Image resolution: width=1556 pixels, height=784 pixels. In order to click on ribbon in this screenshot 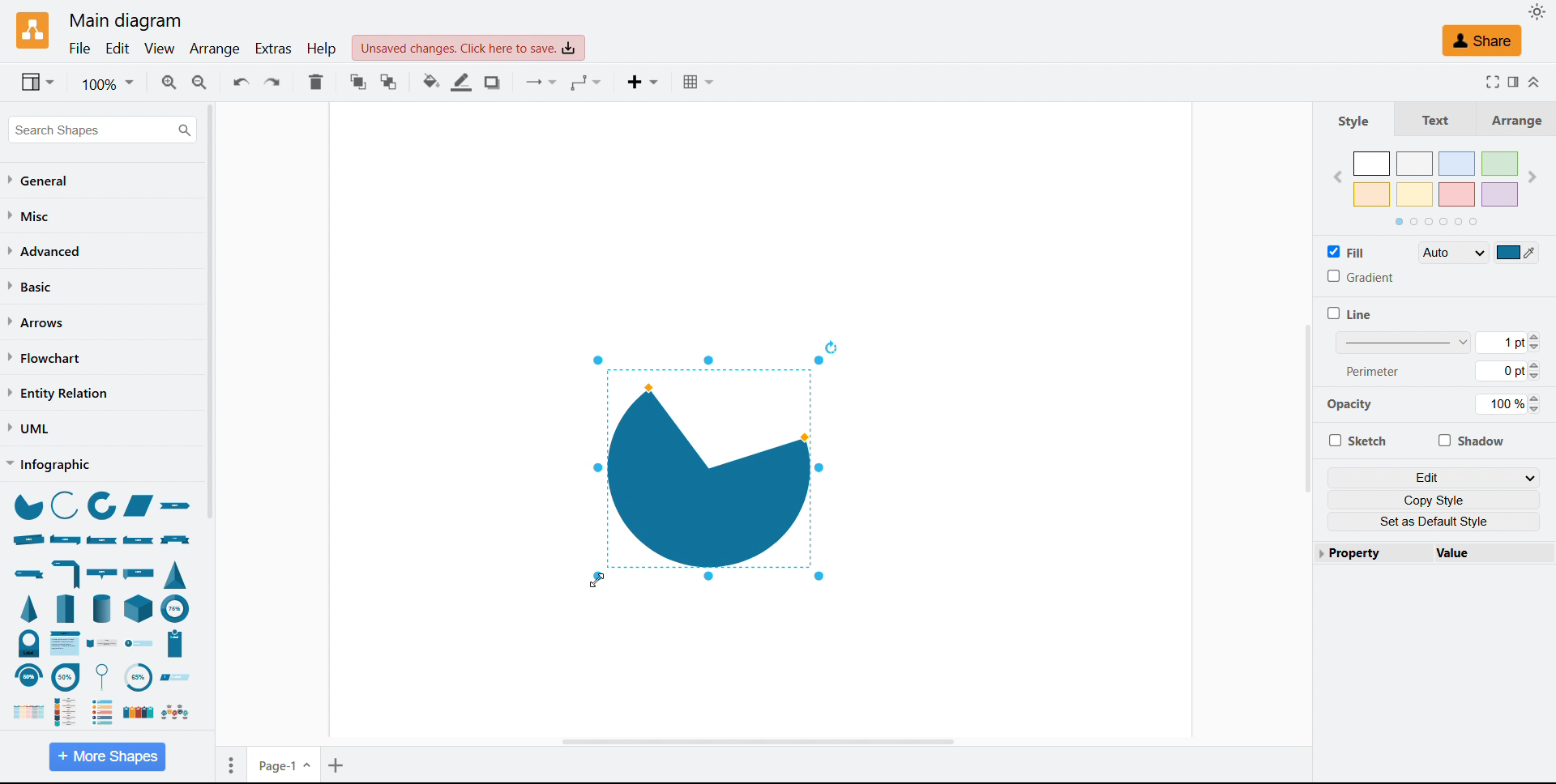, I will do `click(179, 508)`.